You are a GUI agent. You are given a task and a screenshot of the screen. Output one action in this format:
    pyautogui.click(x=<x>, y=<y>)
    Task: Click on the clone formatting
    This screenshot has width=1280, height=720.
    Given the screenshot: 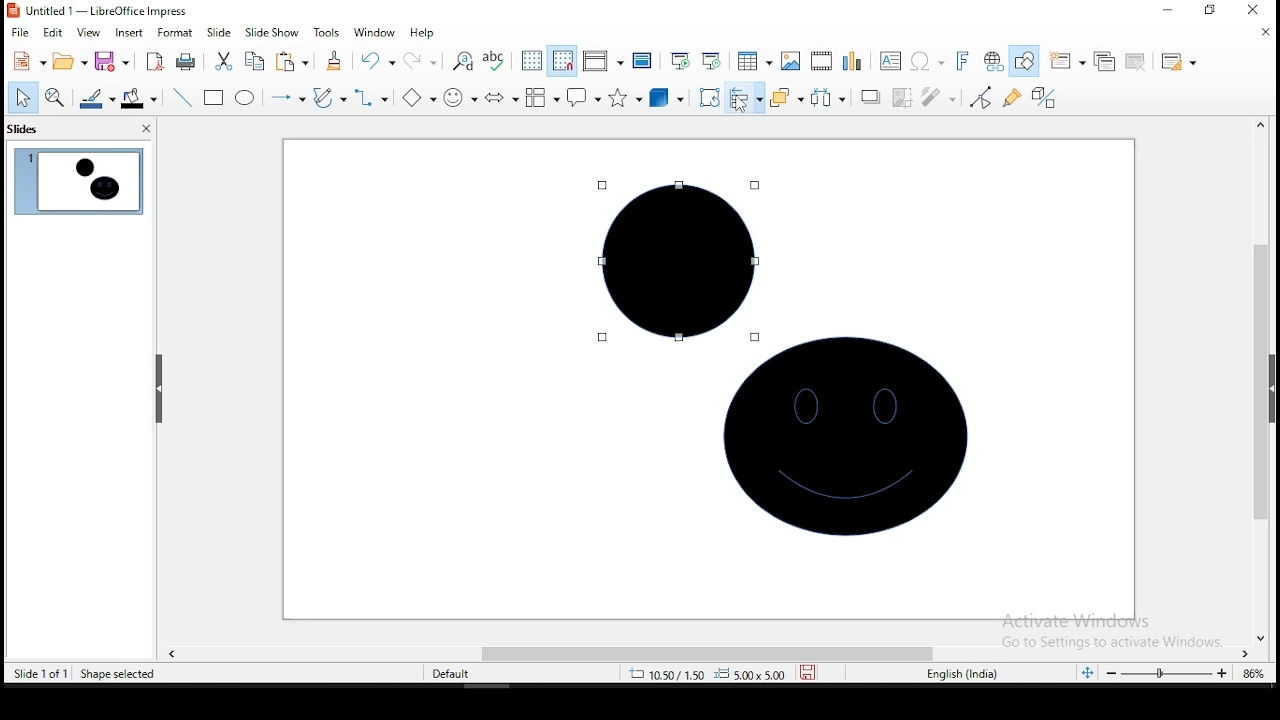 What is the action you would take?
    pyautogui.click(x=332, y=61)
    